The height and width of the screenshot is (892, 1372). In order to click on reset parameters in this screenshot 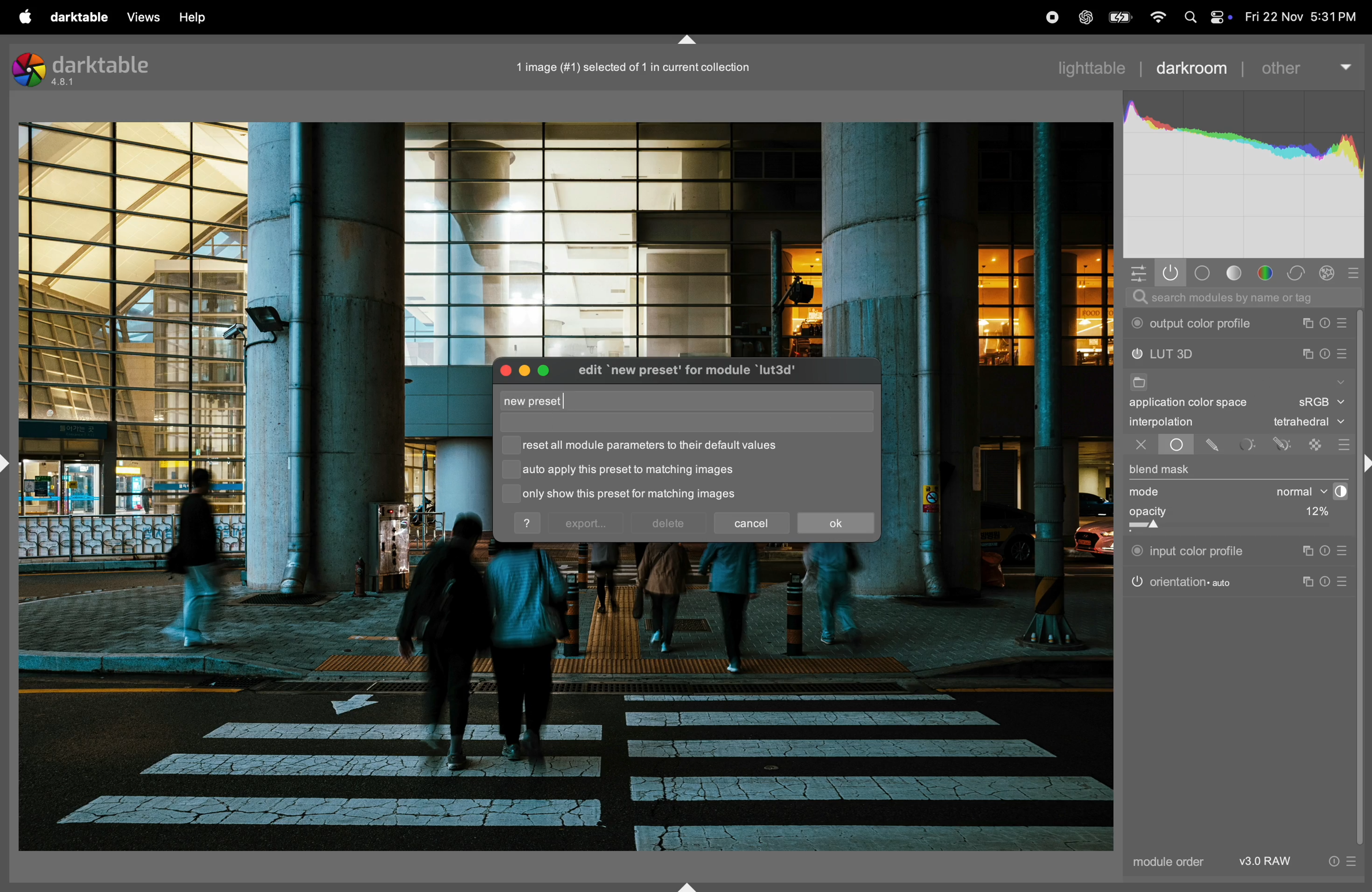, I will do `click(1329, 323)`.